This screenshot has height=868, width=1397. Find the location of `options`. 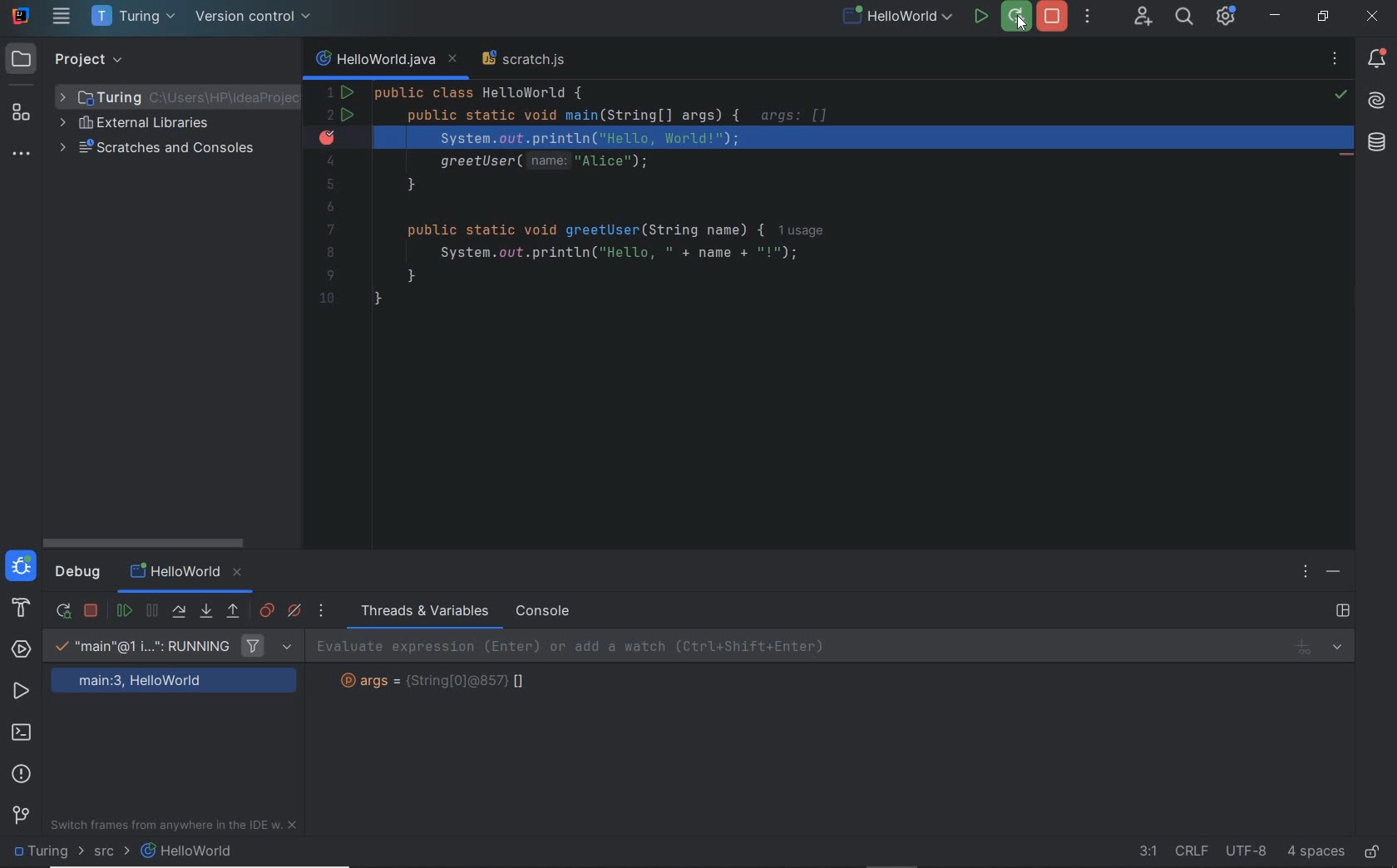

options is located at coordinates (1307, 574).